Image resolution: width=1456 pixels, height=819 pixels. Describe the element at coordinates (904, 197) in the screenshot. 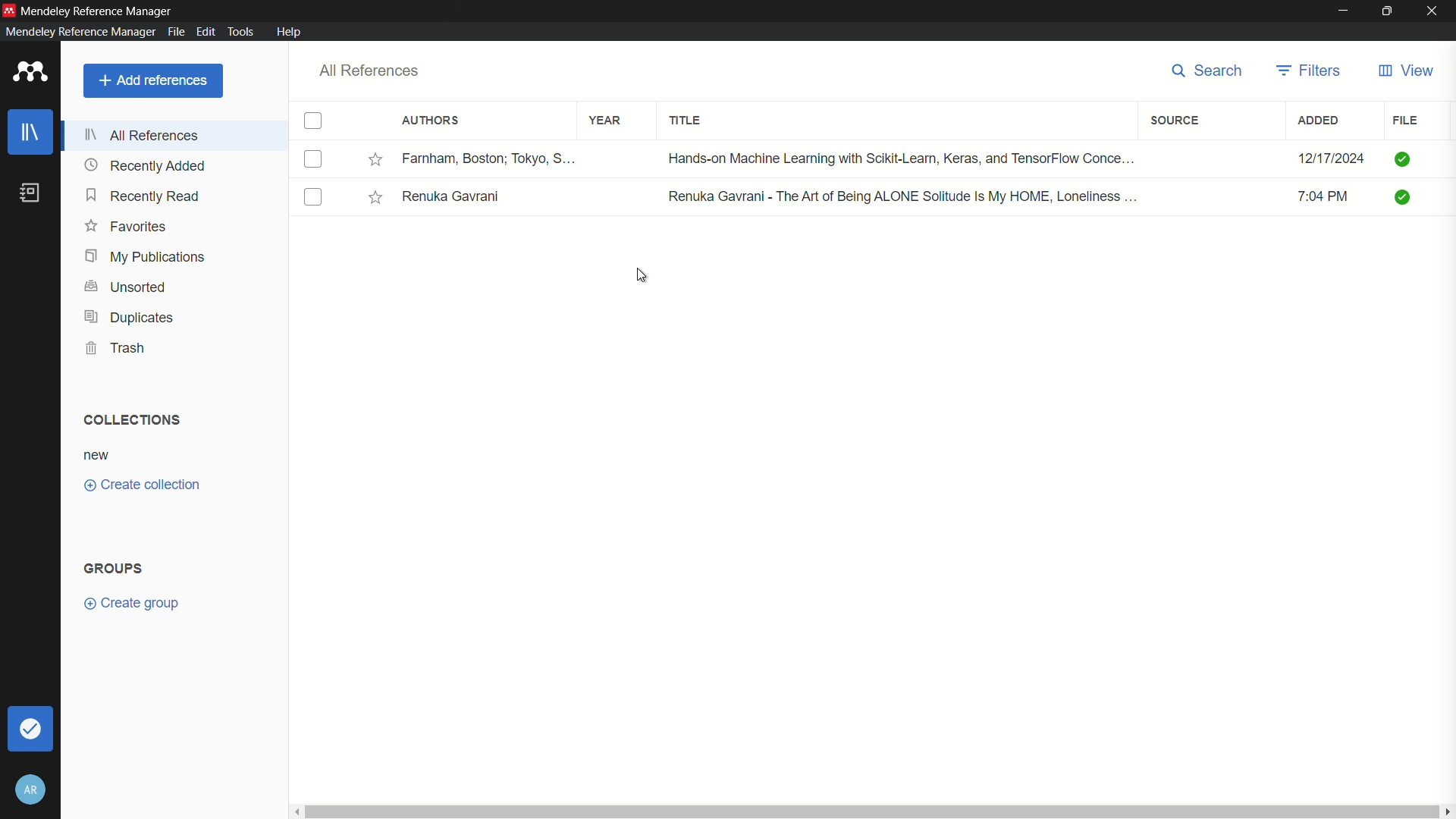

I see `Renuka Gavrani` at that location.